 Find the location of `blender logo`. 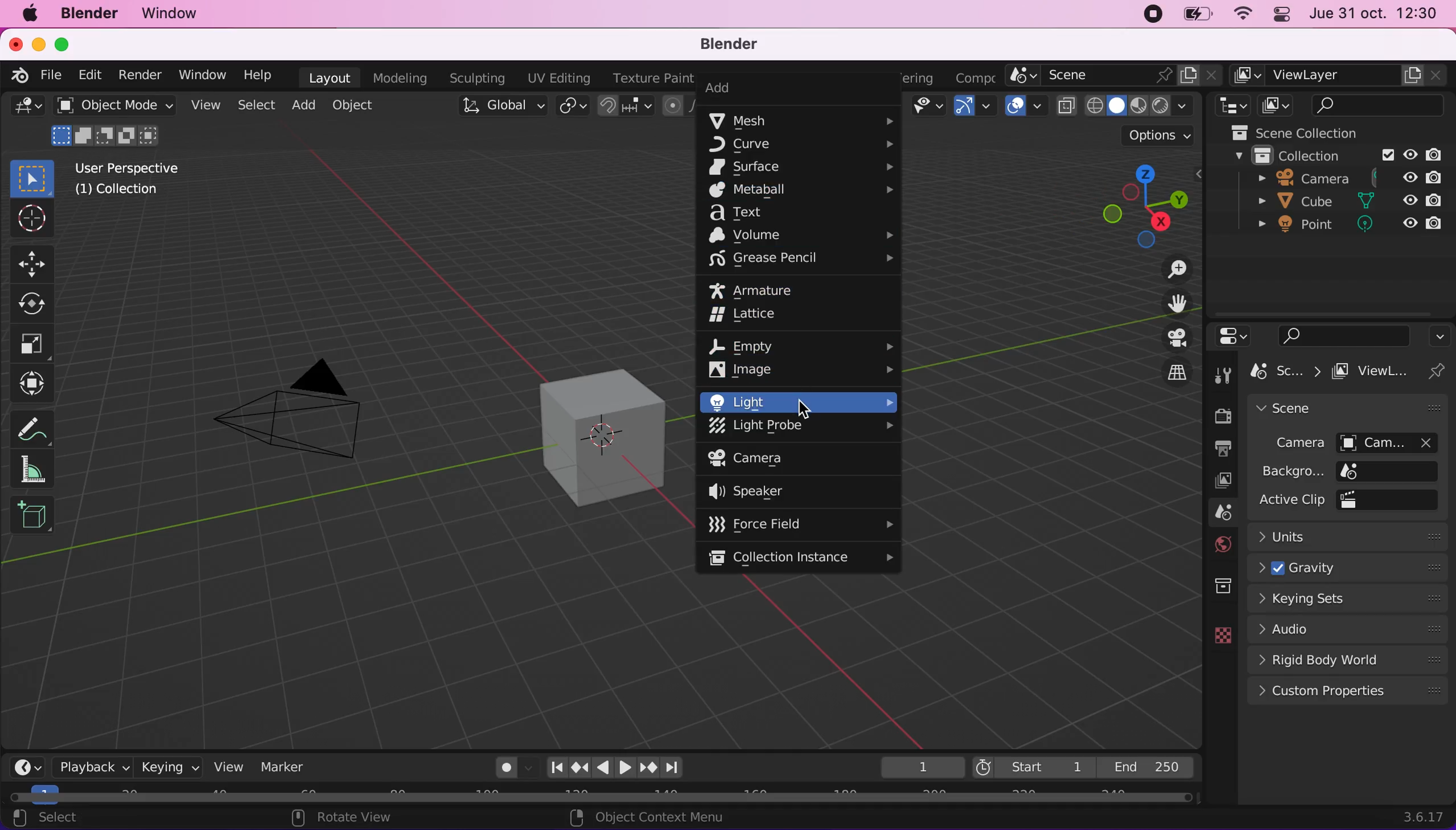

blender logo is located at coordinates (18, 75).